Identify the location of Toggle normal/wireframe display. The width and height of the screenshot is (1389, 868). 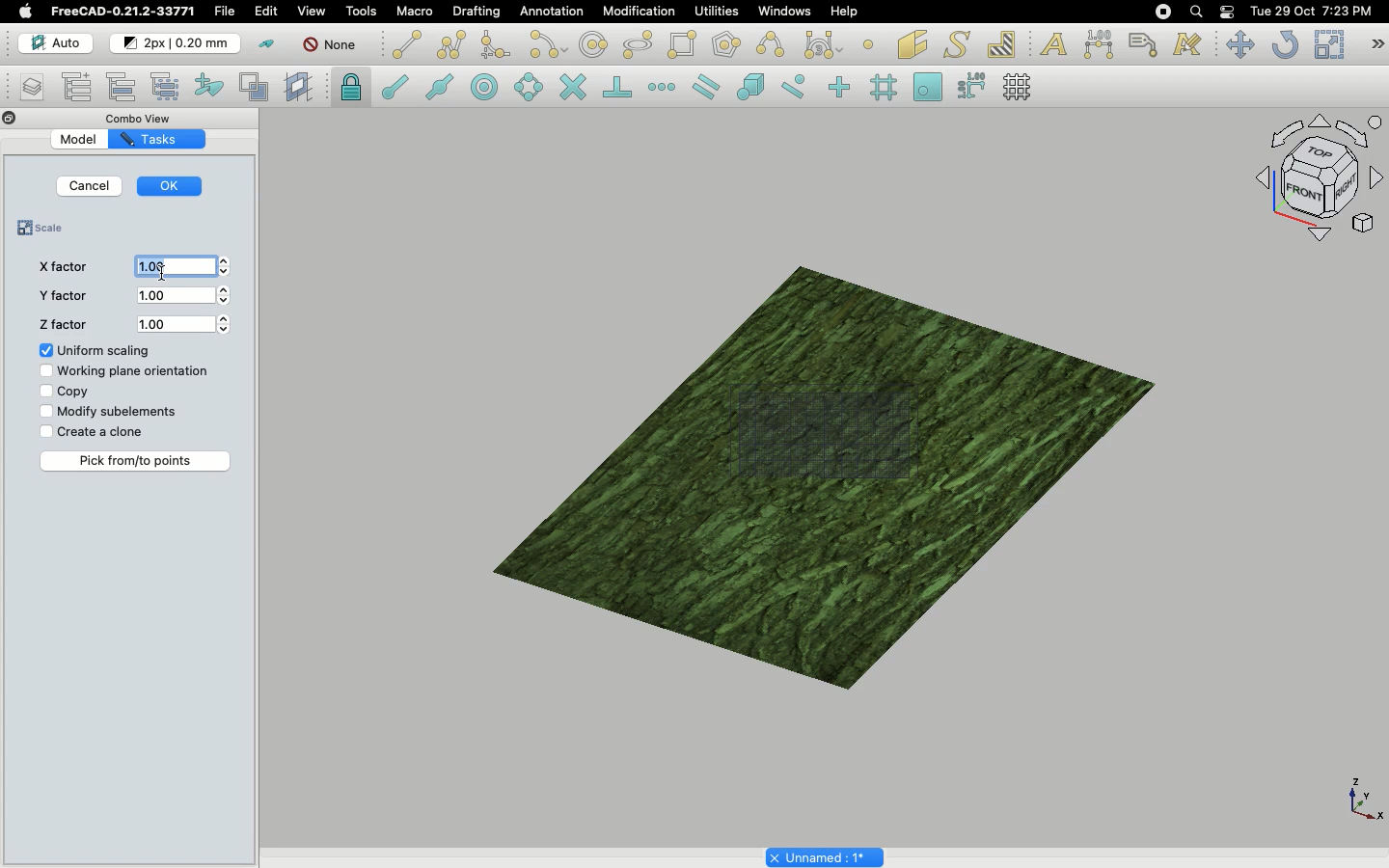
(255, 87).